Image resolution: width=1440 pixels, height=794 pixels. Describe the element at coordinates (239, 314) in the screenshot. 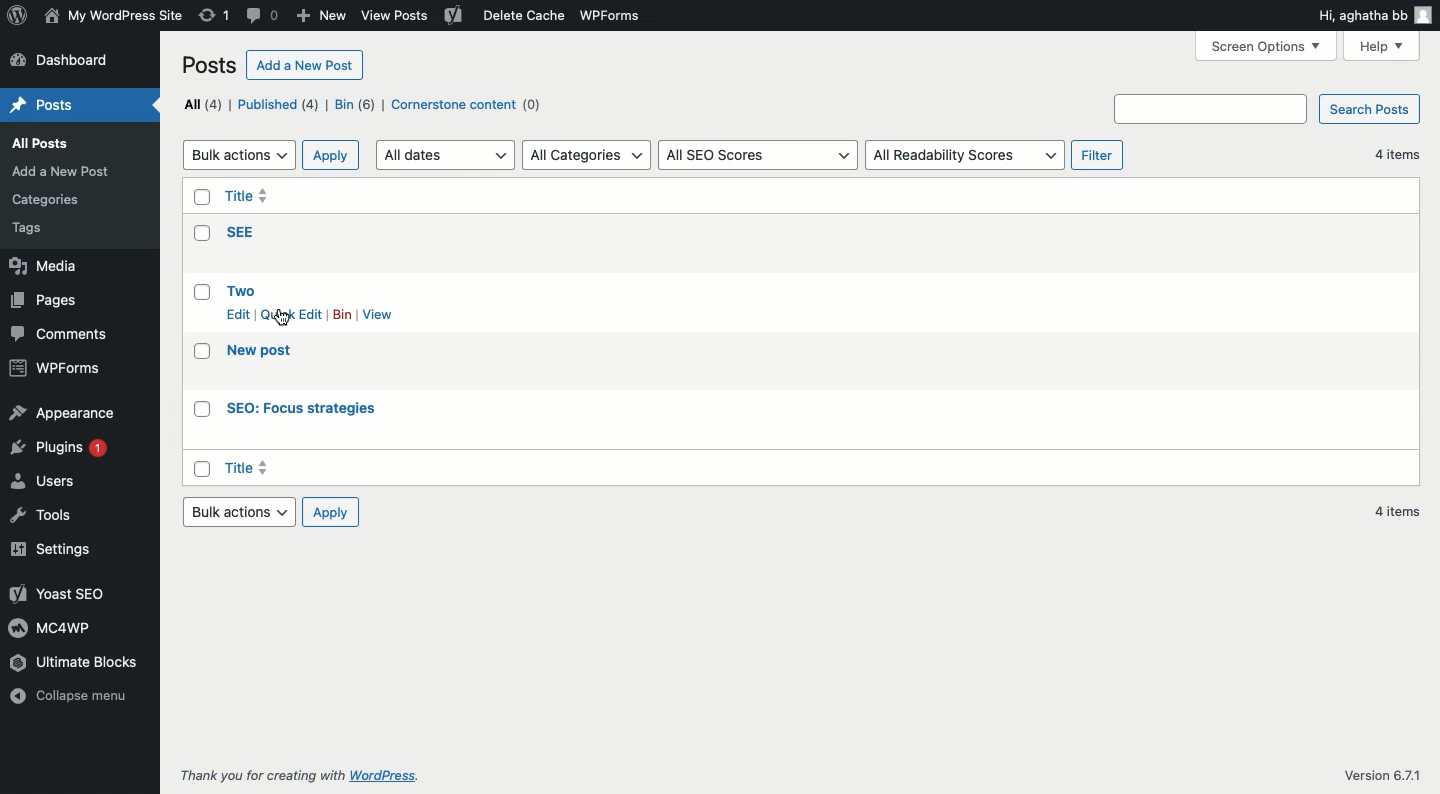

I see `Edit` at that location.